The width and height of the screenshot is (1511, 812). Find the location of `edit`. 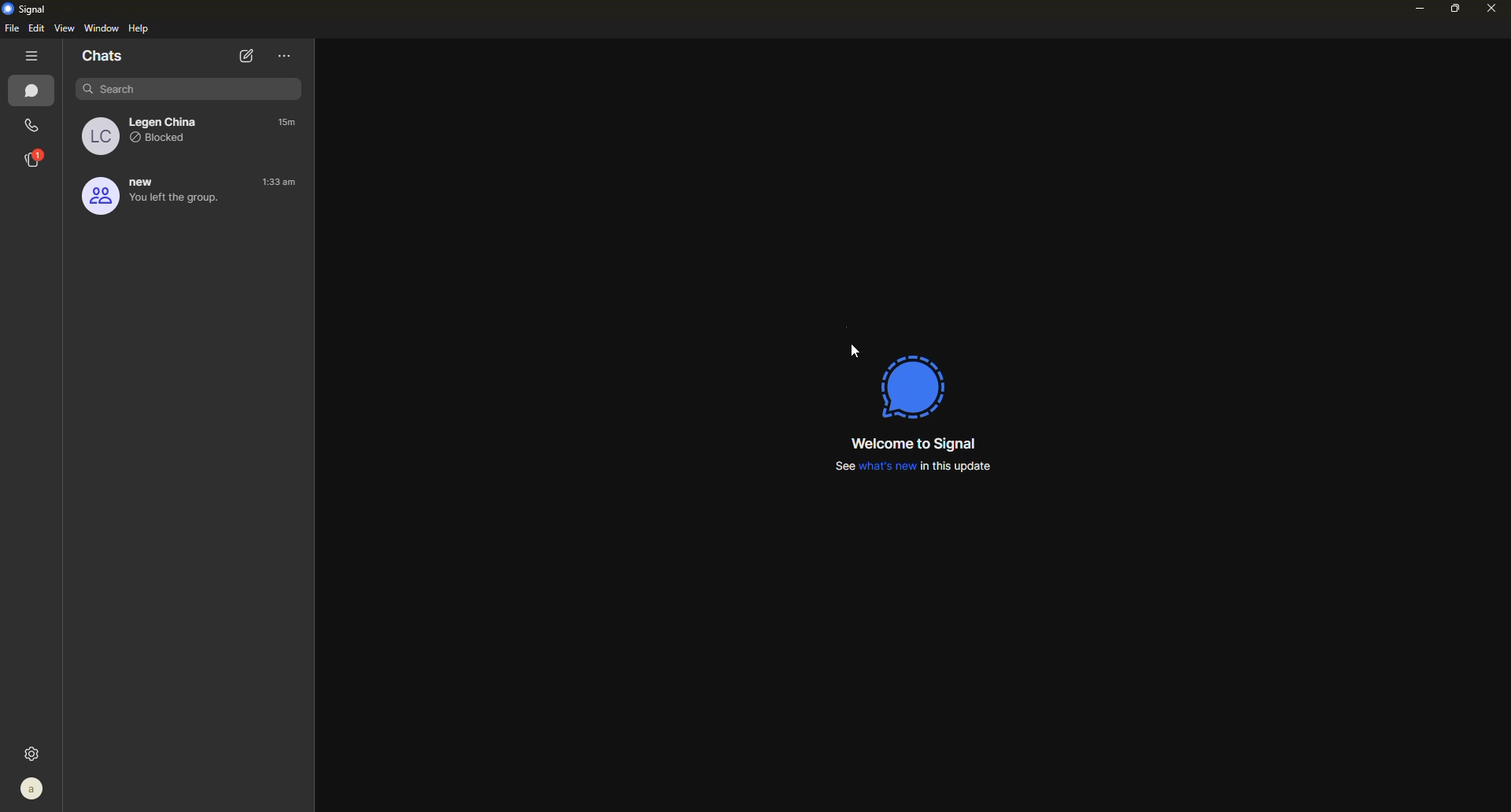

edit is located at coordinates (38, 28).